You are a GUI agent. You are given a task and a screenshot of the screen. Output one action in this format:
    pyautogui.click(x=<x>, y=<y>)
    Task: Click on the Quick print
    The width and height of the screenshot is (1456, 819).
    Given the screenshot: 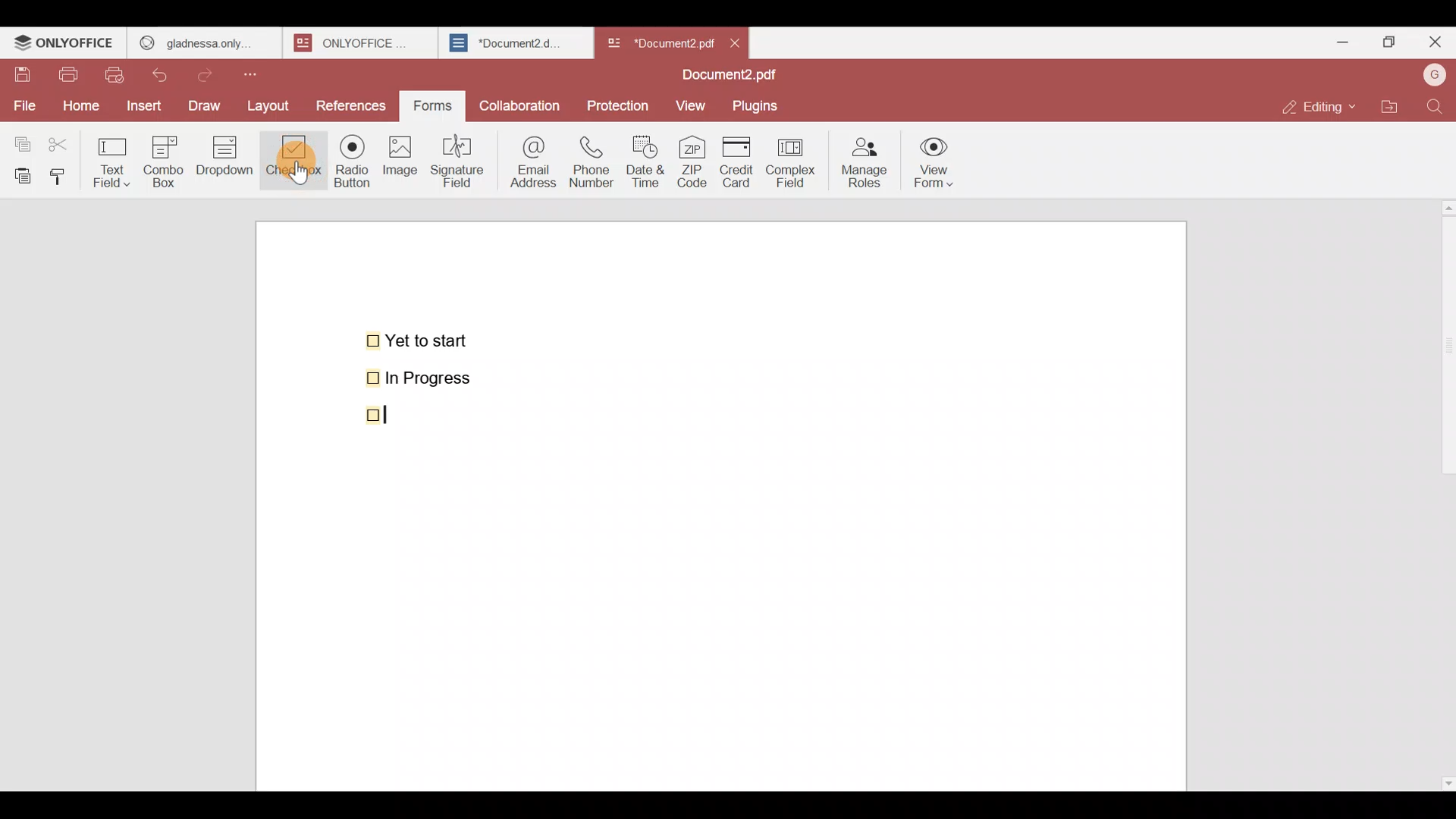 What is the action you would take?
    pyautogui.click(x=119, y=74)
    